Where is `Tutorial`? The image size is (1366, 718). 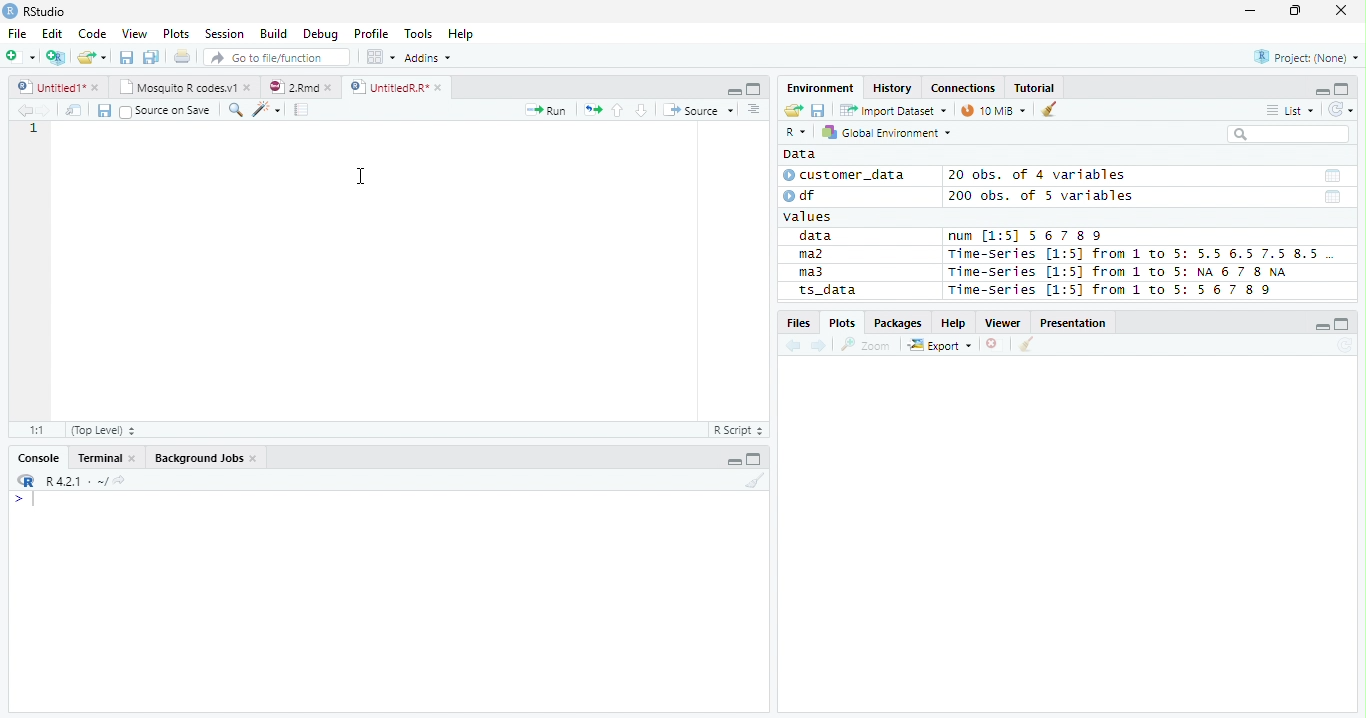
Tutorial is located at coordinates (1035, 87).